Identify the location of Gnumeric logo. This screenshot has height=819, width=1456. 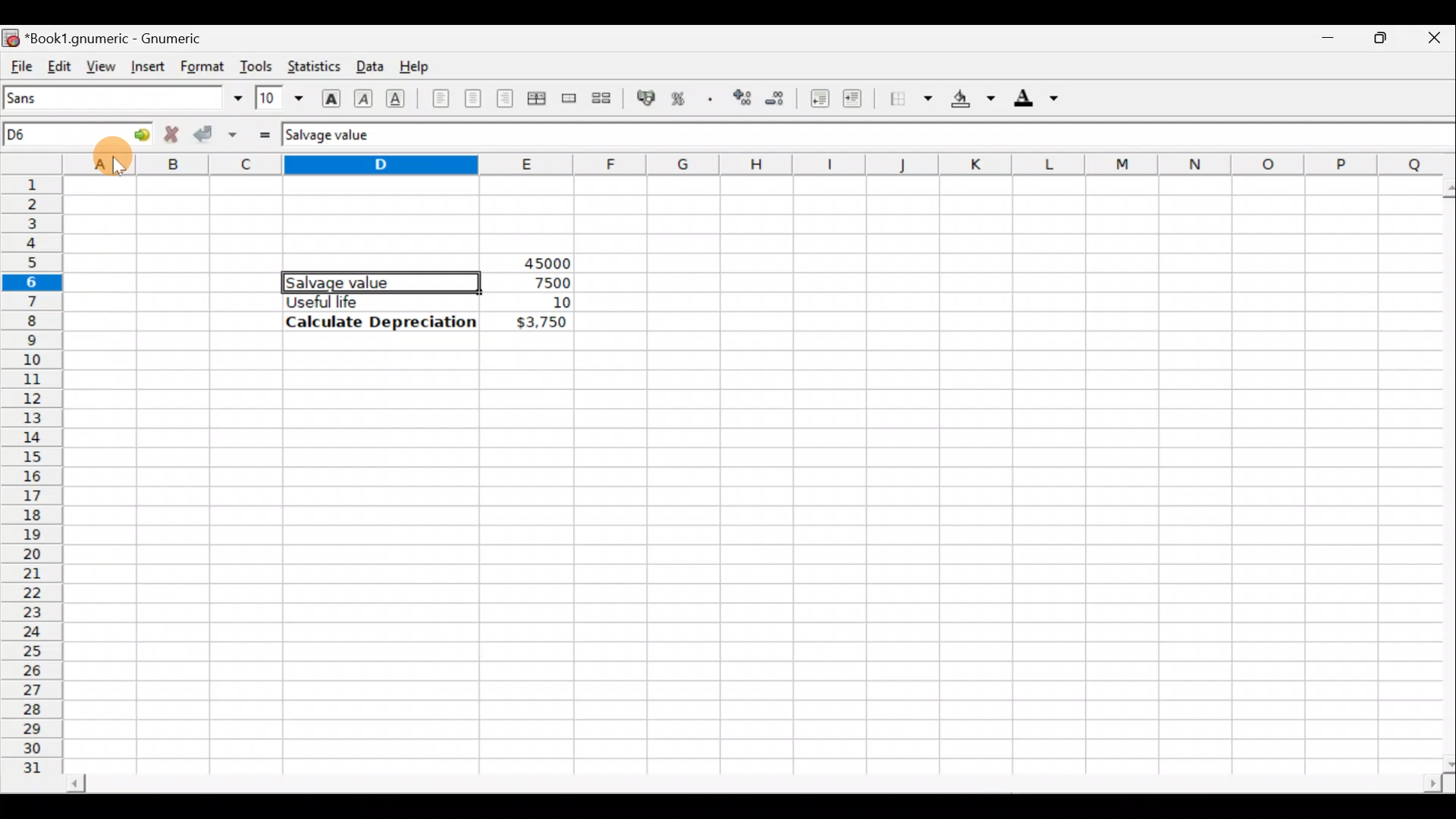
(11, 37).